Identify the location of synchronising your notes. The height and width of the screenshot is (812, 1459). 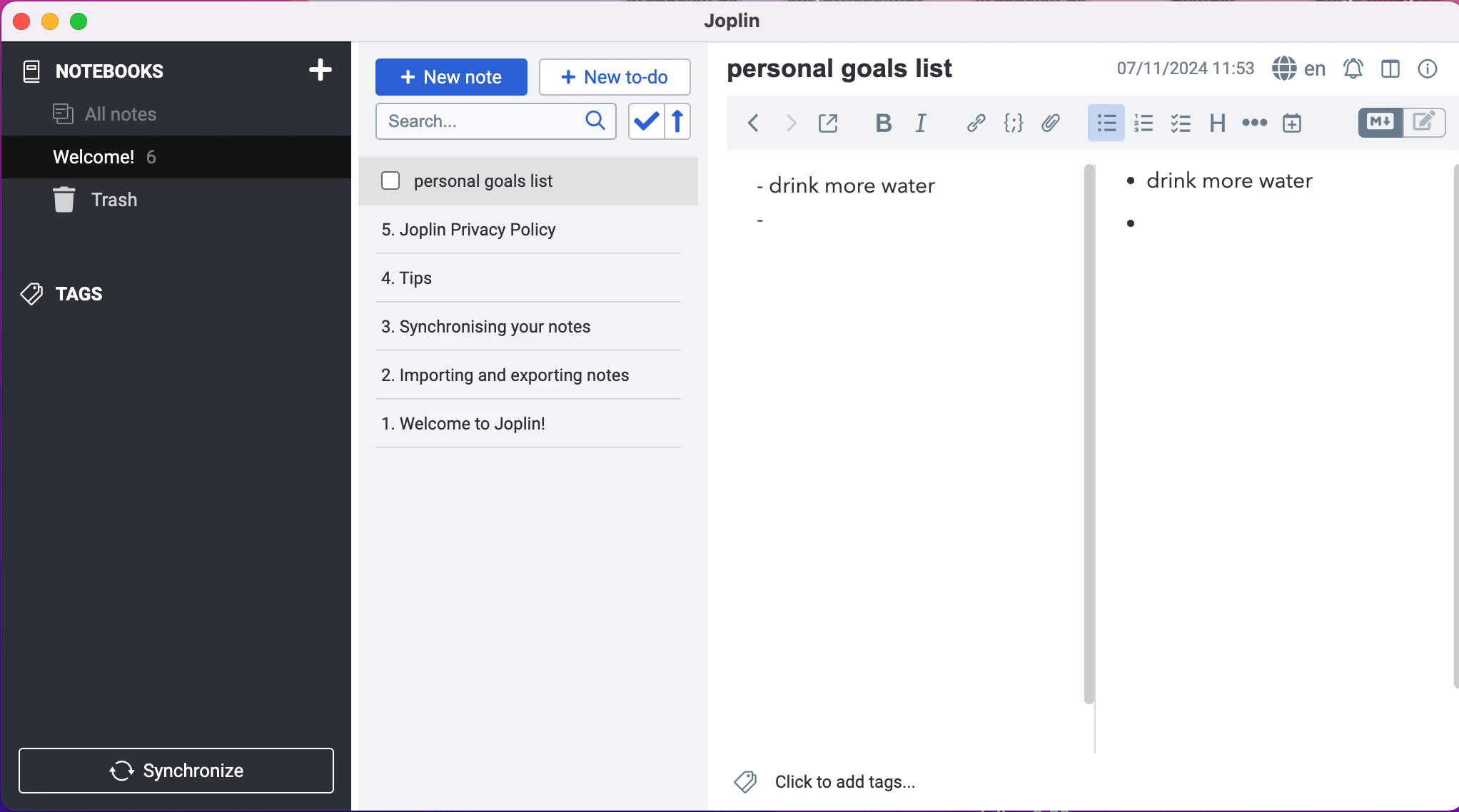
(530, 278).